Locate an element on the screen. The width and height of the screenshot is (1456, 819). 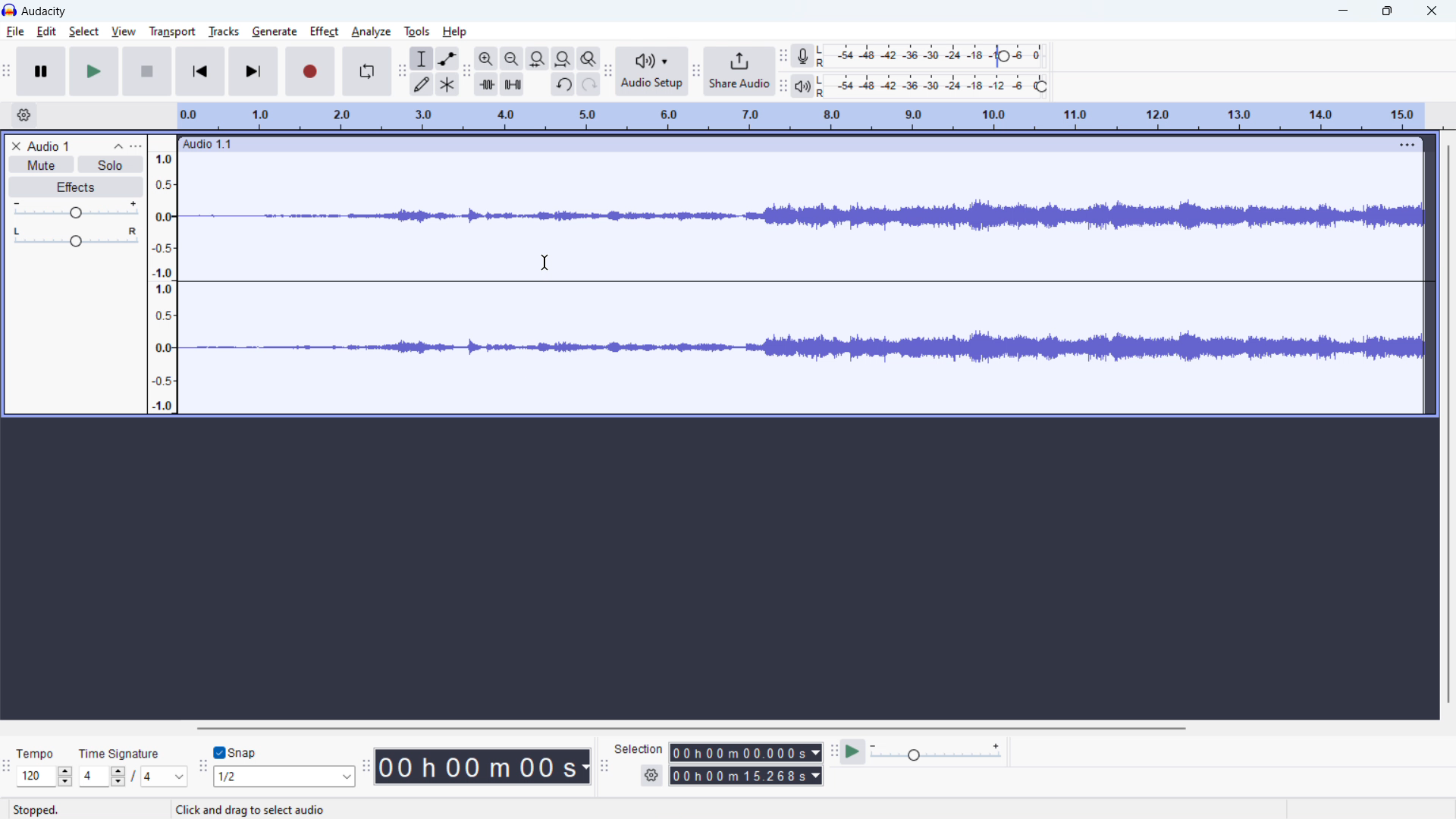
cursor is located at coordinates (545, 262).